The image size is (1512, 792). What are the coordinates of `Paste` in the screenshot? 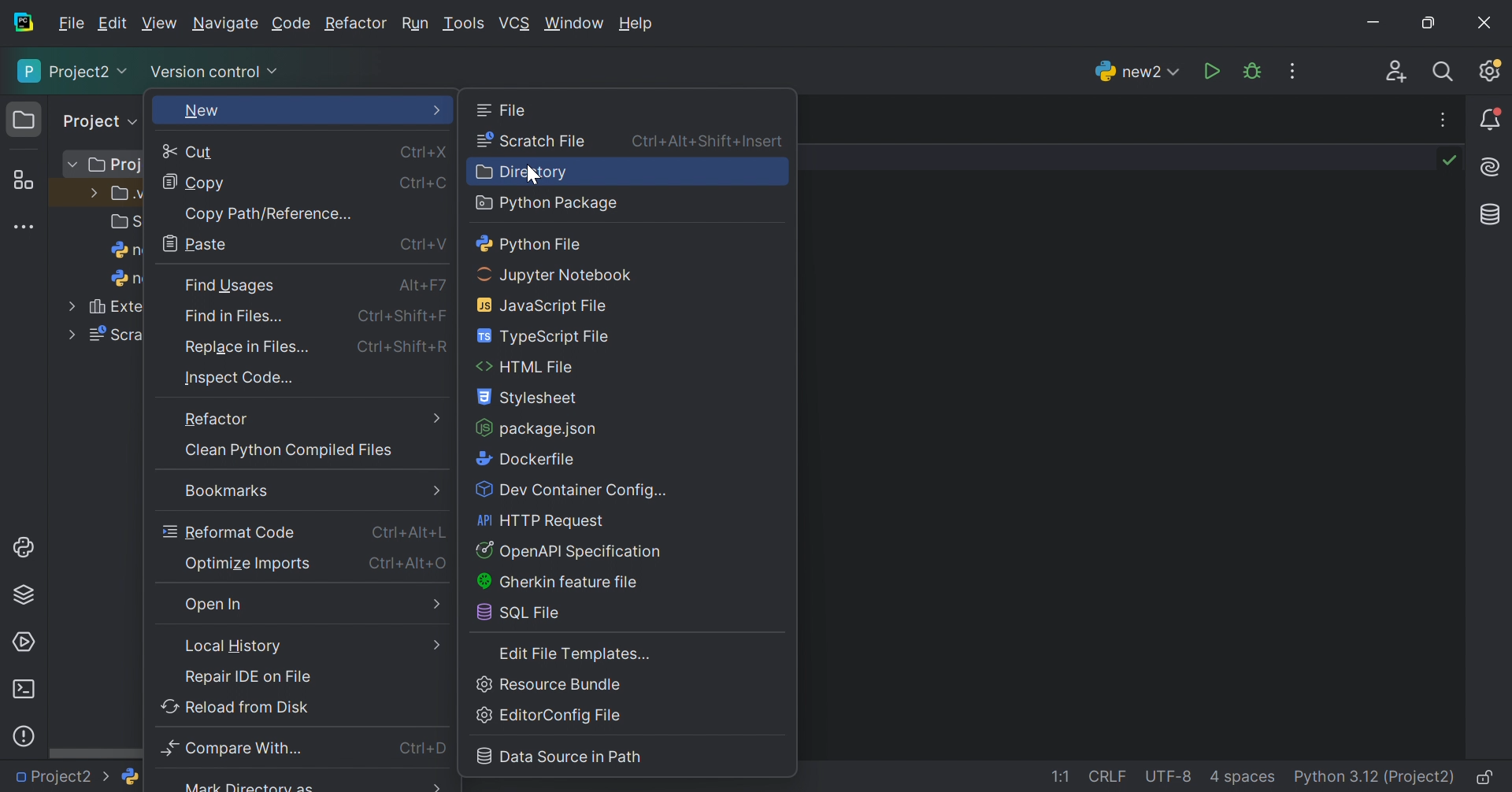 It's located at (199, 244).